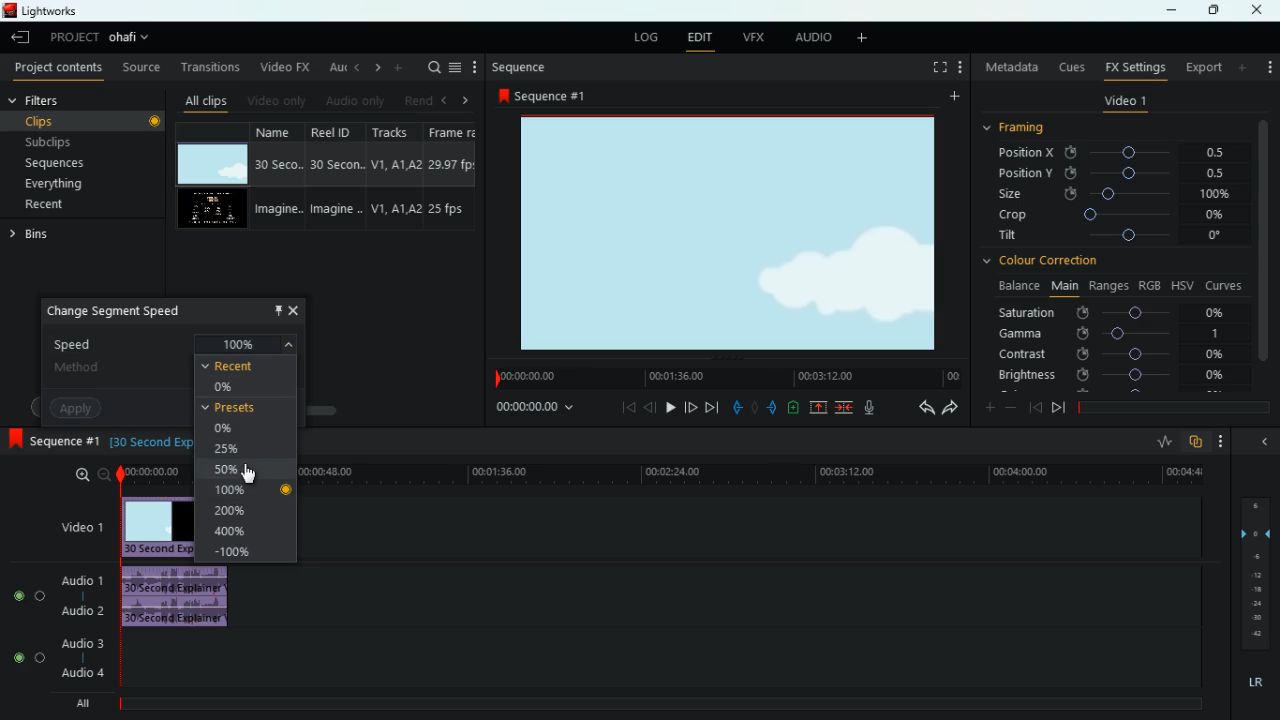  What do you see at coordinates (222, 428) in the screenshot?
I see `0` at bounding box center [222, 428].